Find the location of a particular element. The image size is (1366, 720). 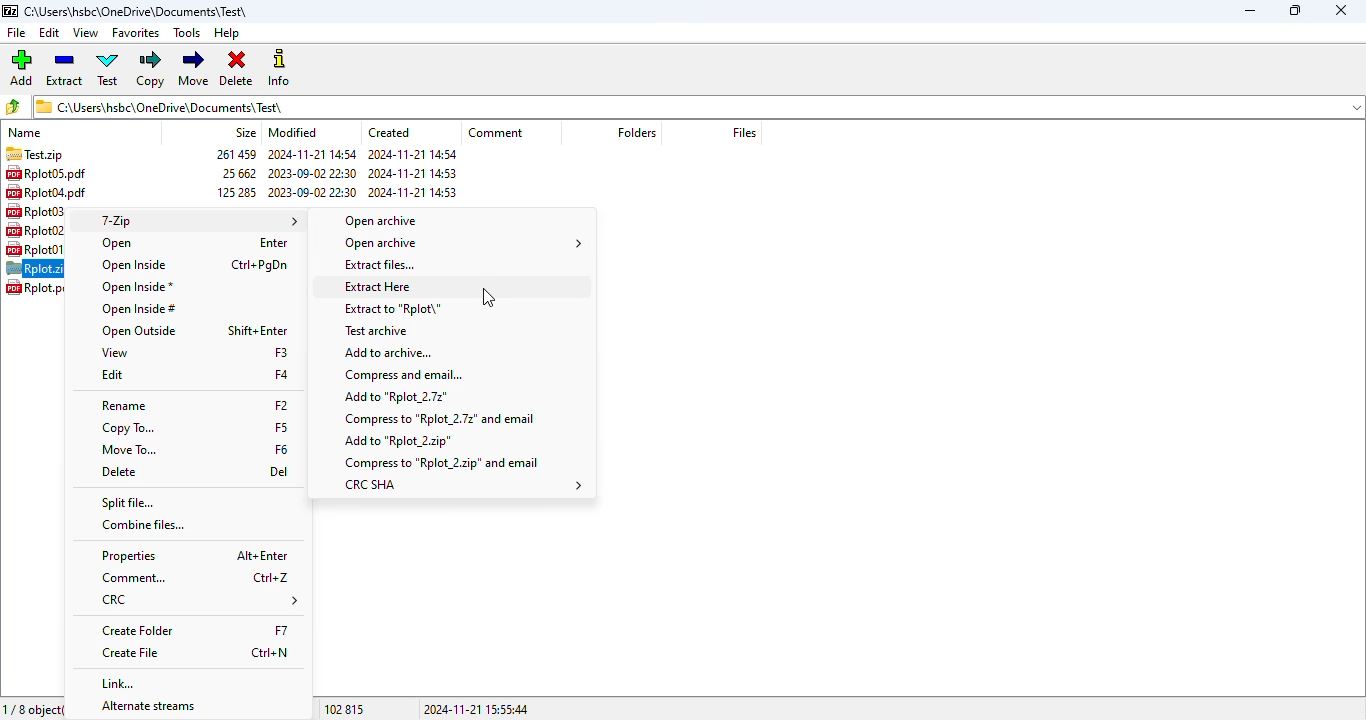

shortcut for open inside is located at coordinates (259, 265).